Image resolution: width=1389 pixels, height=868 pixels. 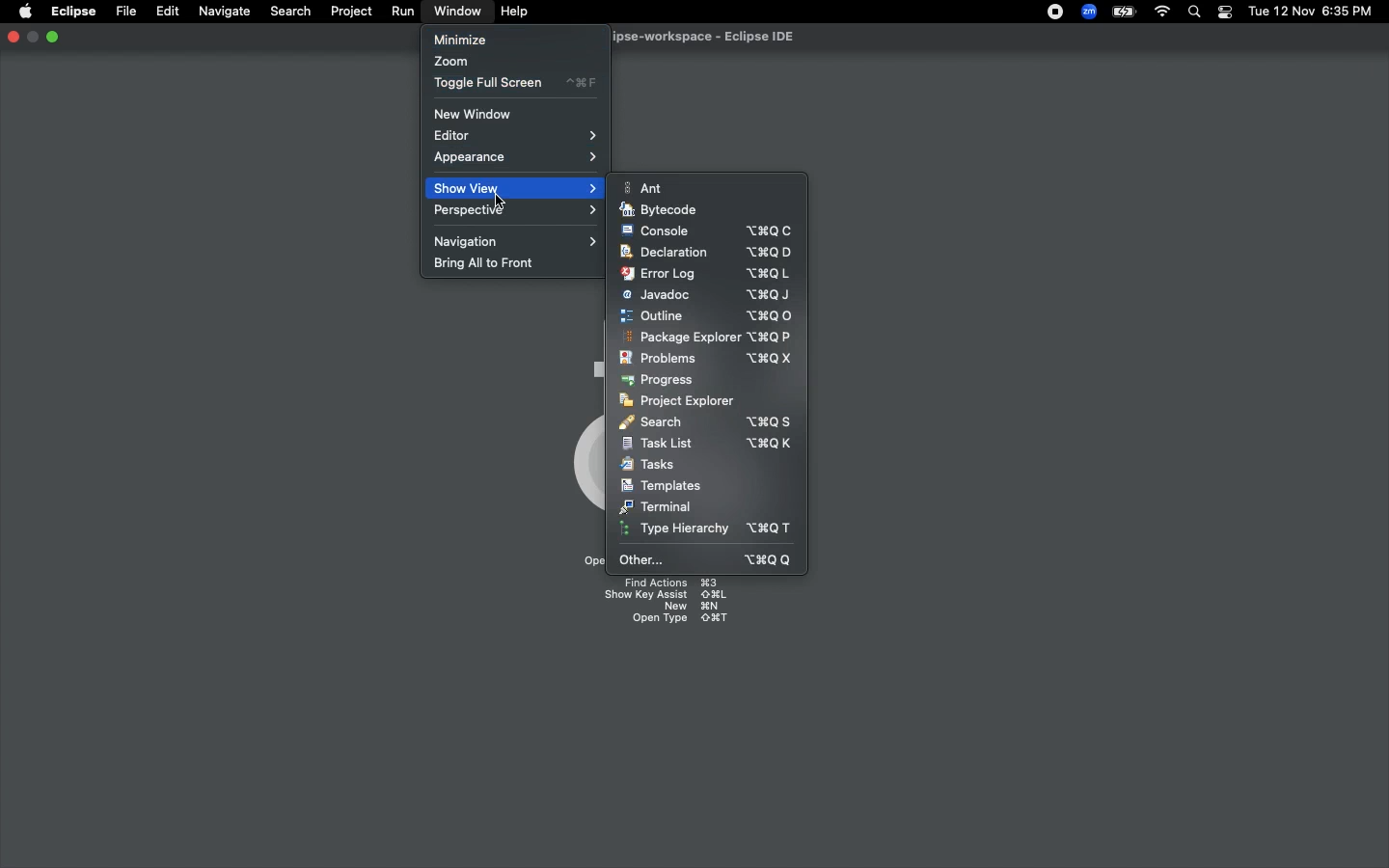 I want to click on Type hierarchy, so click(x=711, y=530).